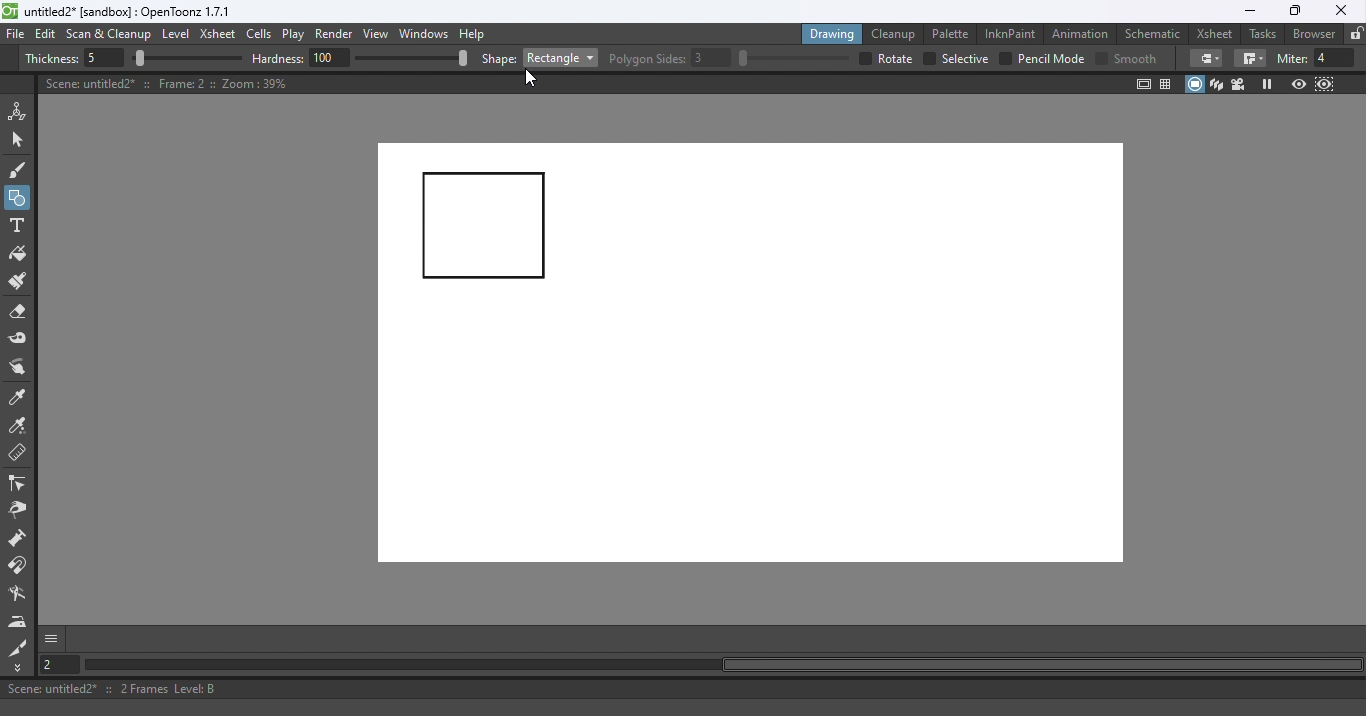  Describe the element at coordinates (1340, 11) in the screenshot. I see `Close` at that location.